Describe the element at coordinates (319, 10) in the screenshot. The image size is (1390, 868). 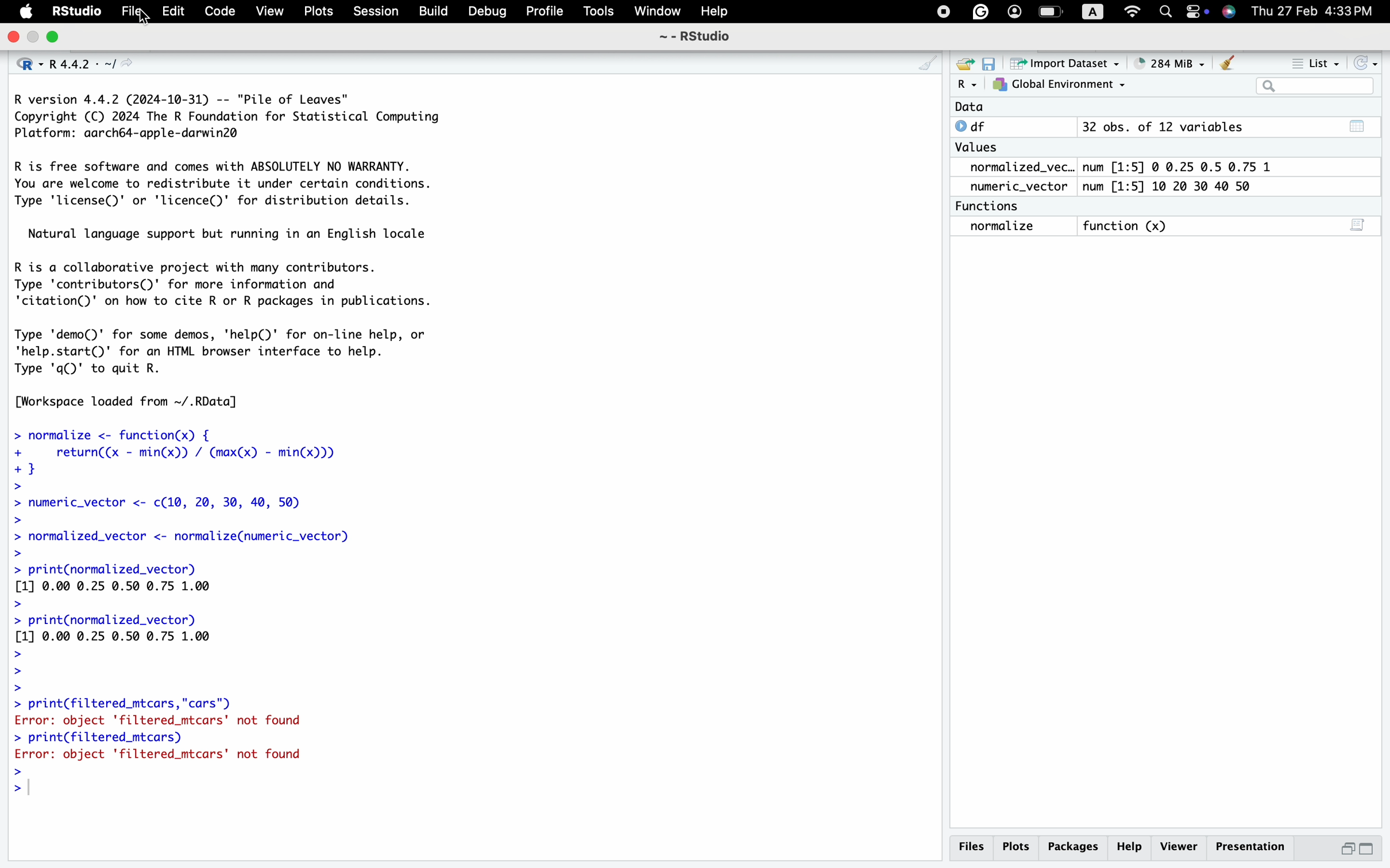
I see `Plots` at that location.